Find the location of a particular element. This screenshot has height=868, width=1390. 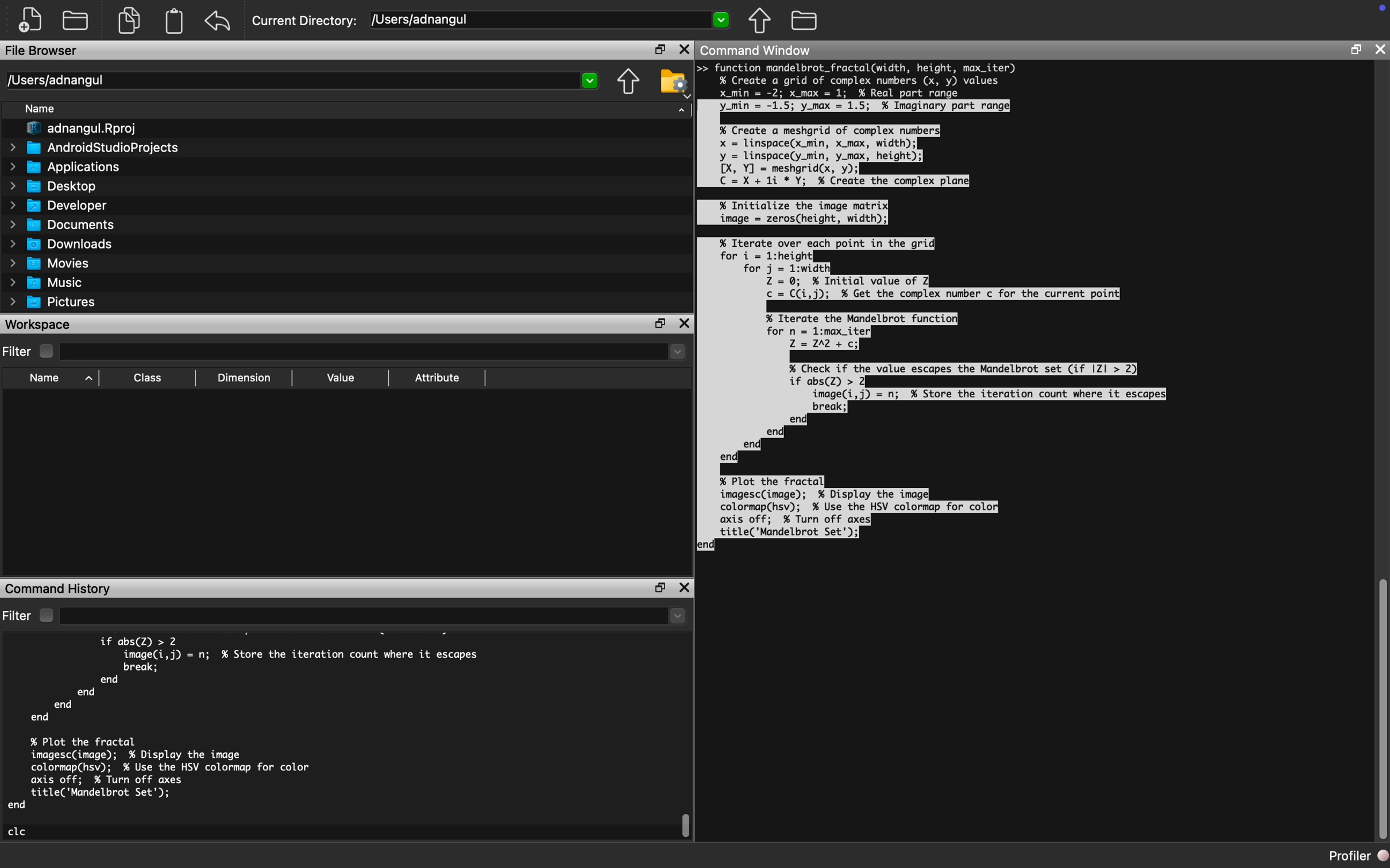

Documents is located at coordinates (63, 226).